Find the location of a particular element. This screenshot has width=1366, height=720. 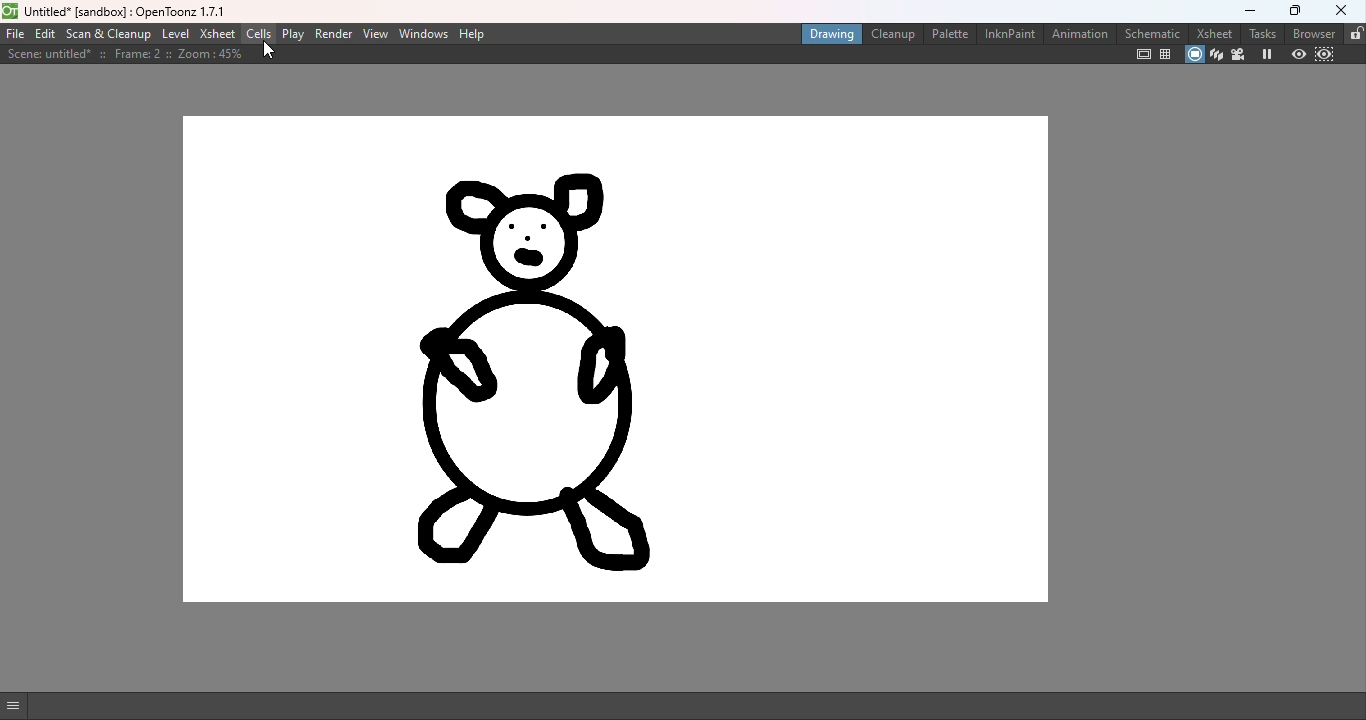

Tasks is located at coordinates (1264, 32).